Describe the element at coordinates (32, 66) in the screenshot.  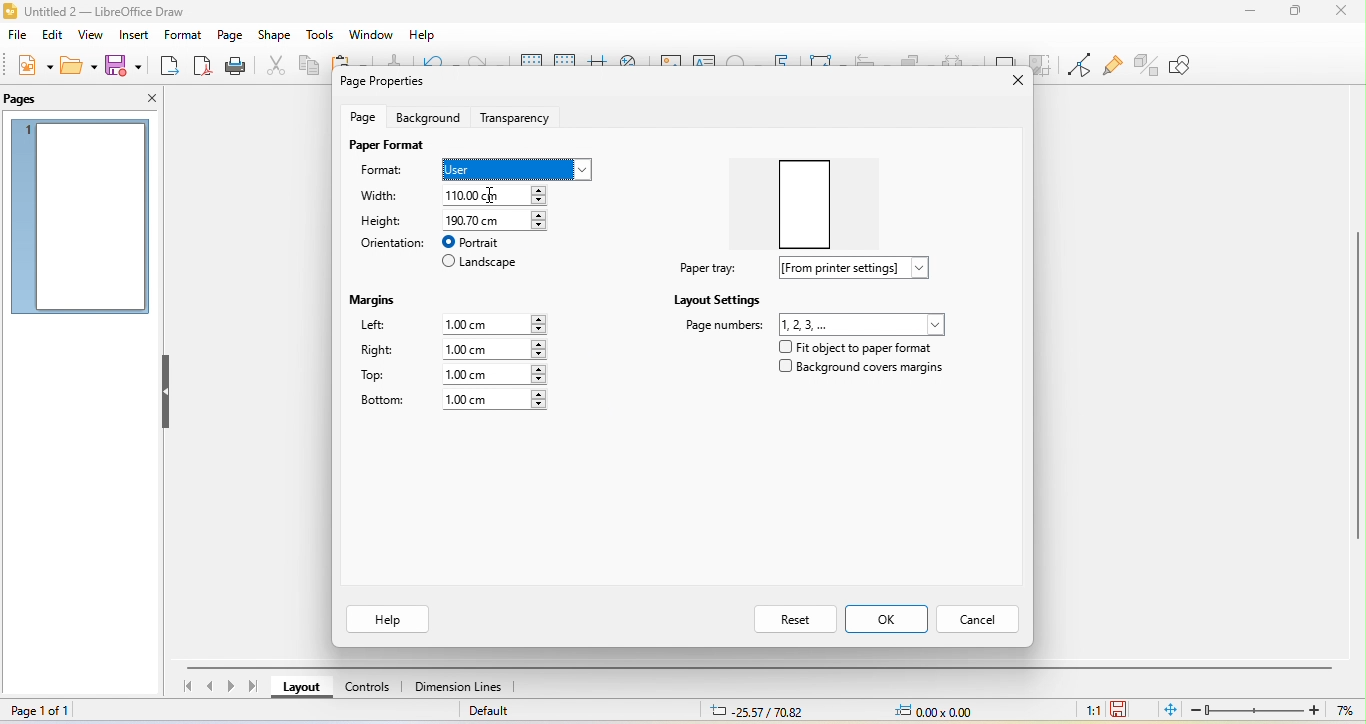
I see `new` at that location.